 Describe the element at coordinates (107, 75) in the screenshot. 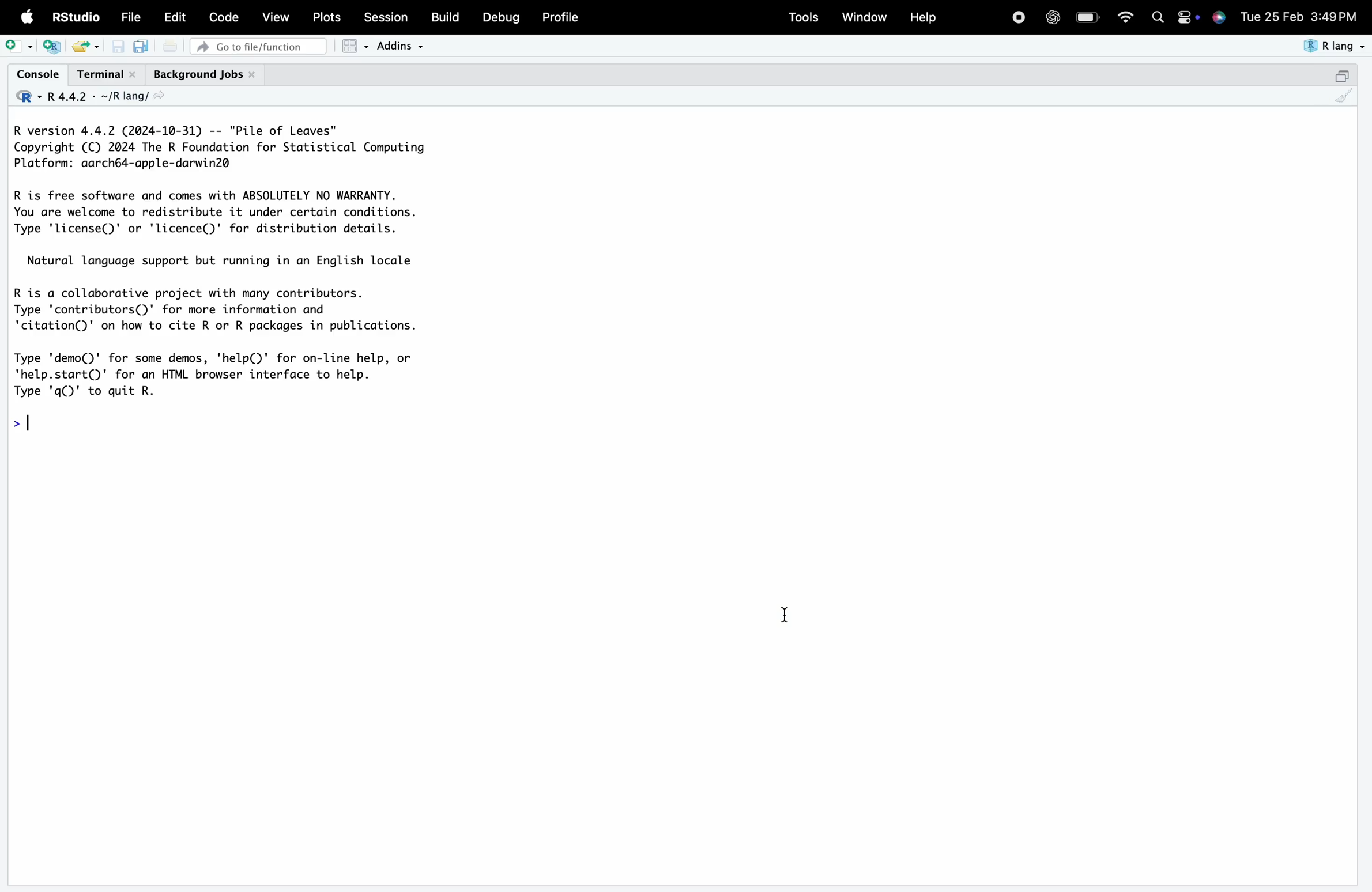

I see `Terminal` at that location.